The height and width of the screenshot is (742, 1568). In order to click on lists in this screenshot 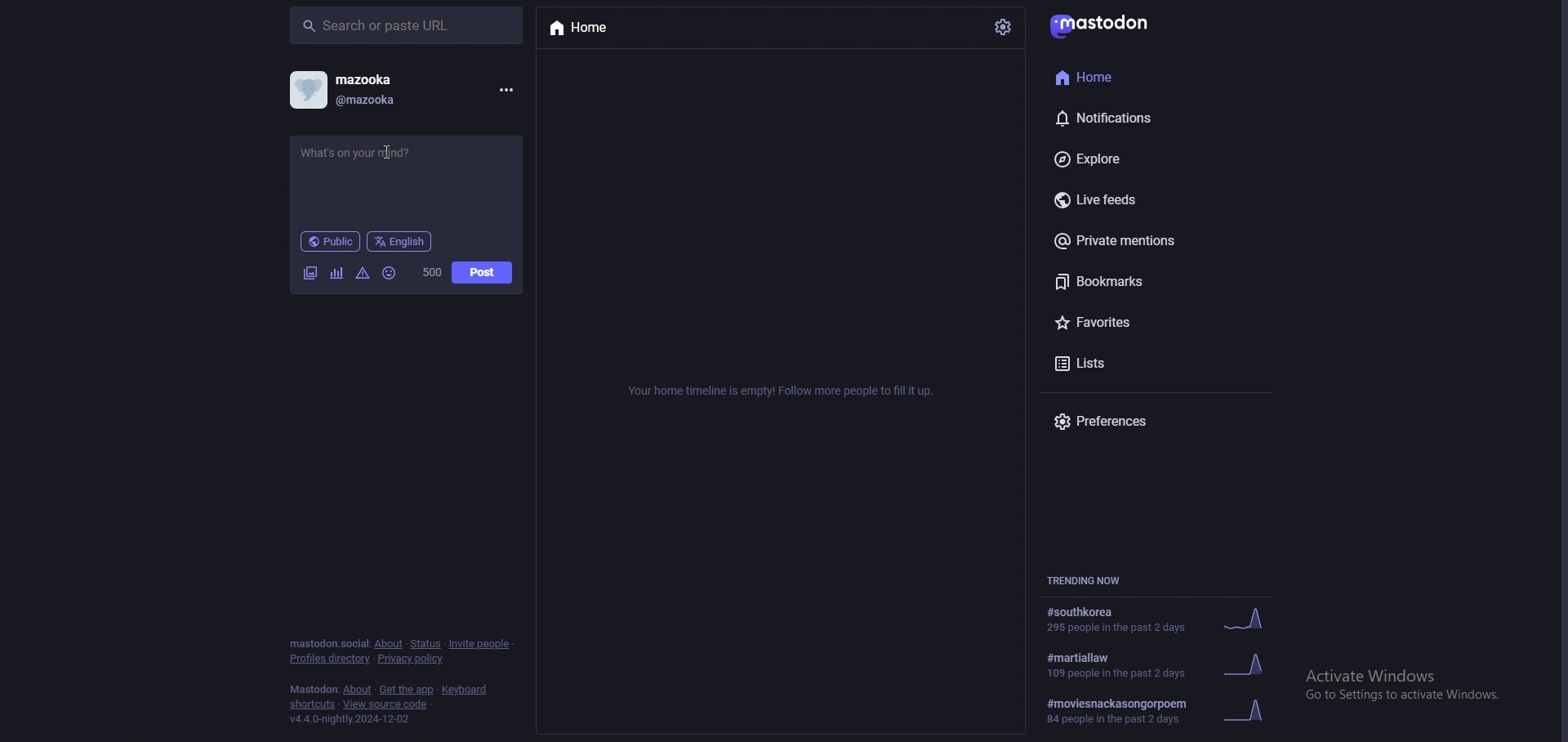, I will do `click(1133, 364)`.